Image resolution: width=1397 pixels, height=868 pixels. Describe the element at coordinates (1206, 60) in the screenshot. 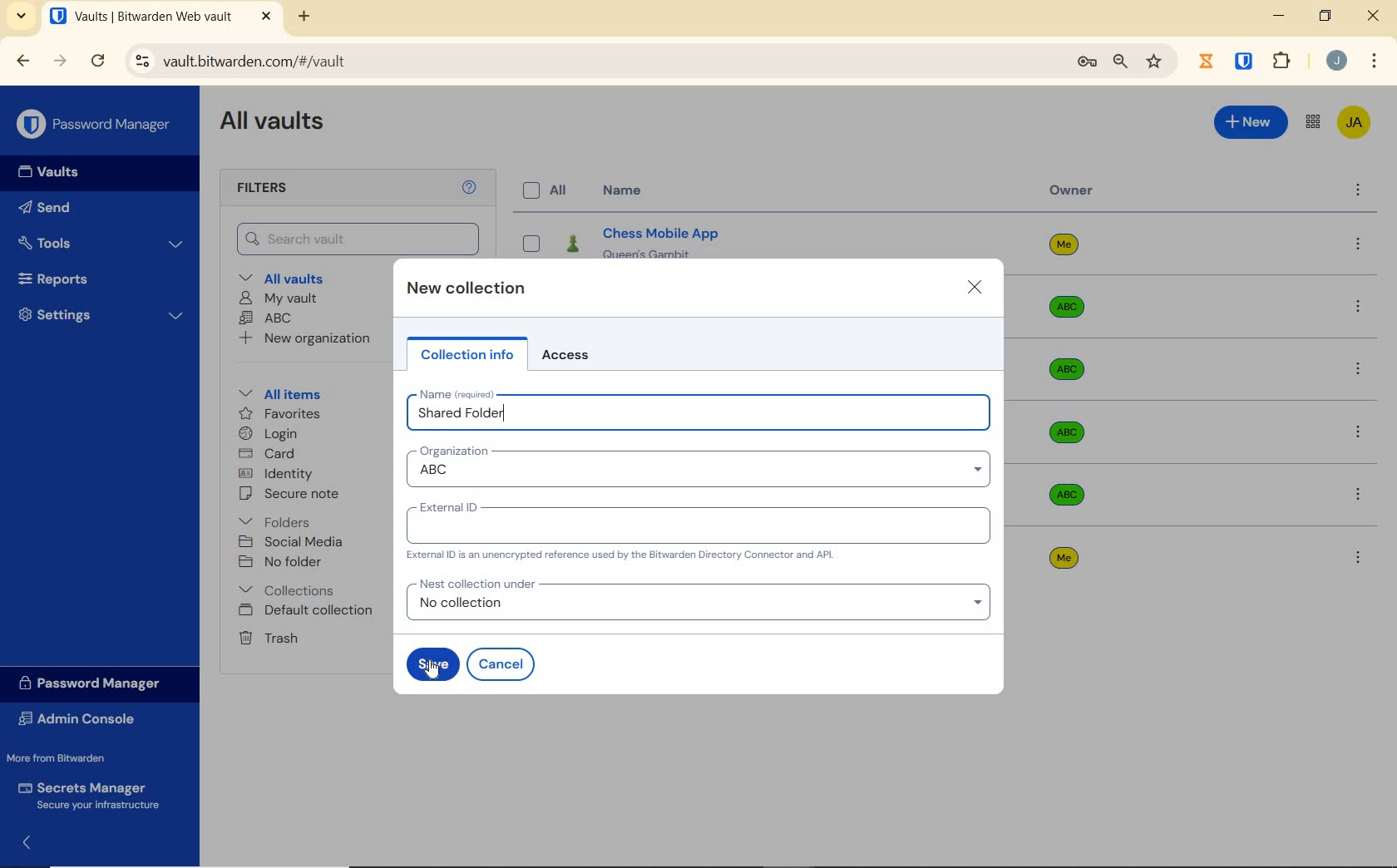

I see `jibble extension` at that location.